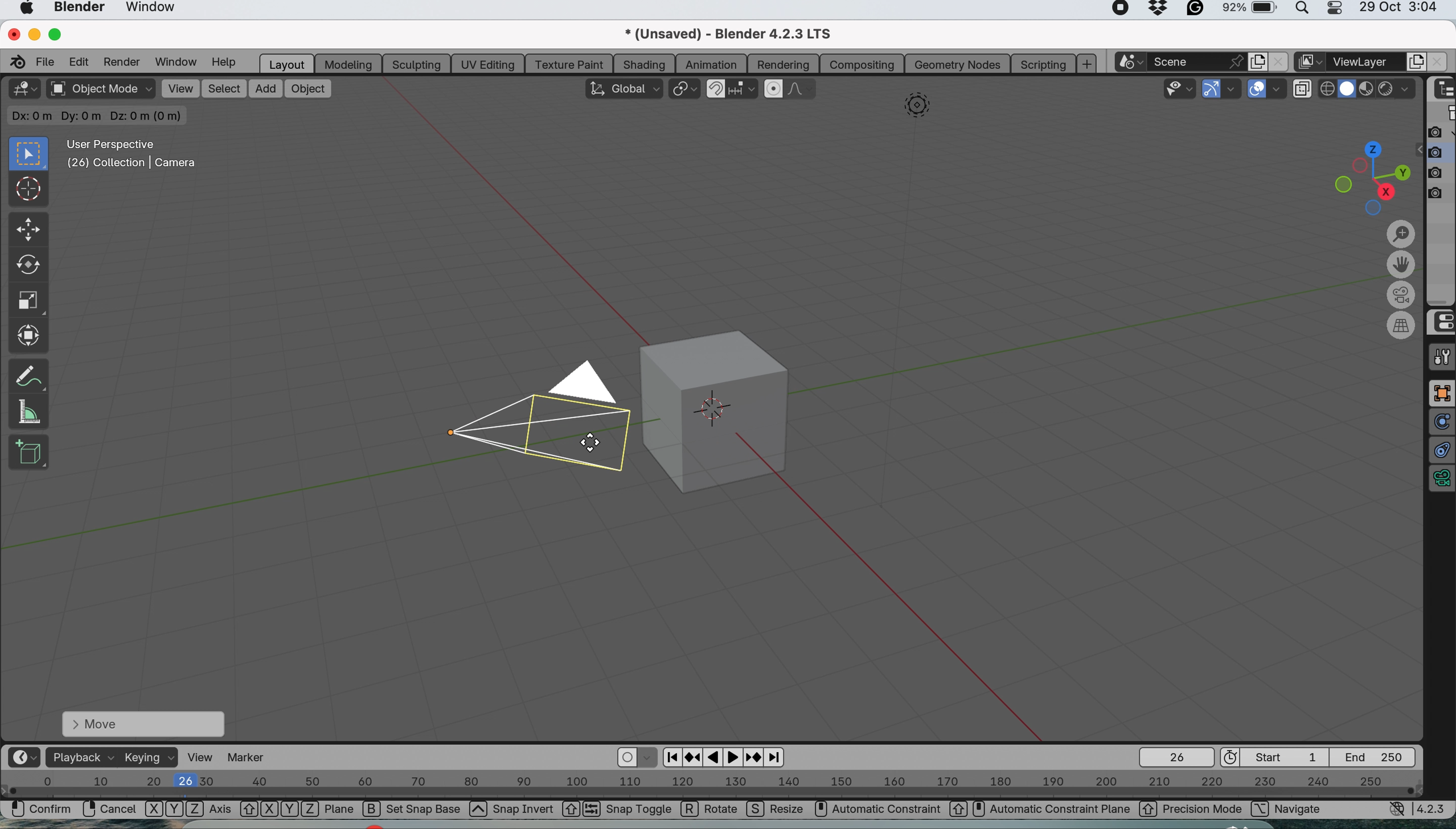 The height and width of the screenshot is (829, 1456). Describe the element at coordinates (531, 417) in the screenshot. I see `camera selected` at that location.